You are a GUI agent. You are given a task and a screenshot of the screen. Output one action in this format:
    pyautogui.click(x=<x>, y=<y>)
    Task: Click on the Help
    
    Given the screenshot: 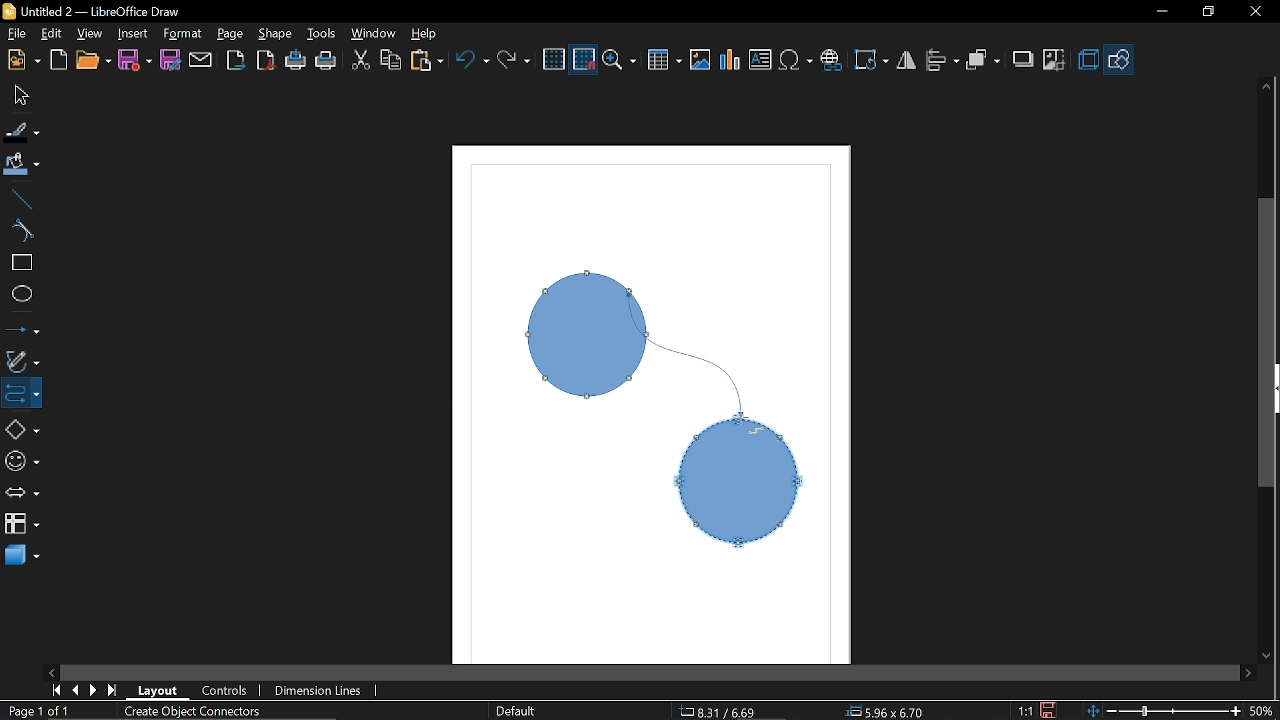 What is the action you would take?
    pyautogui.click(x=427, y=34)
    